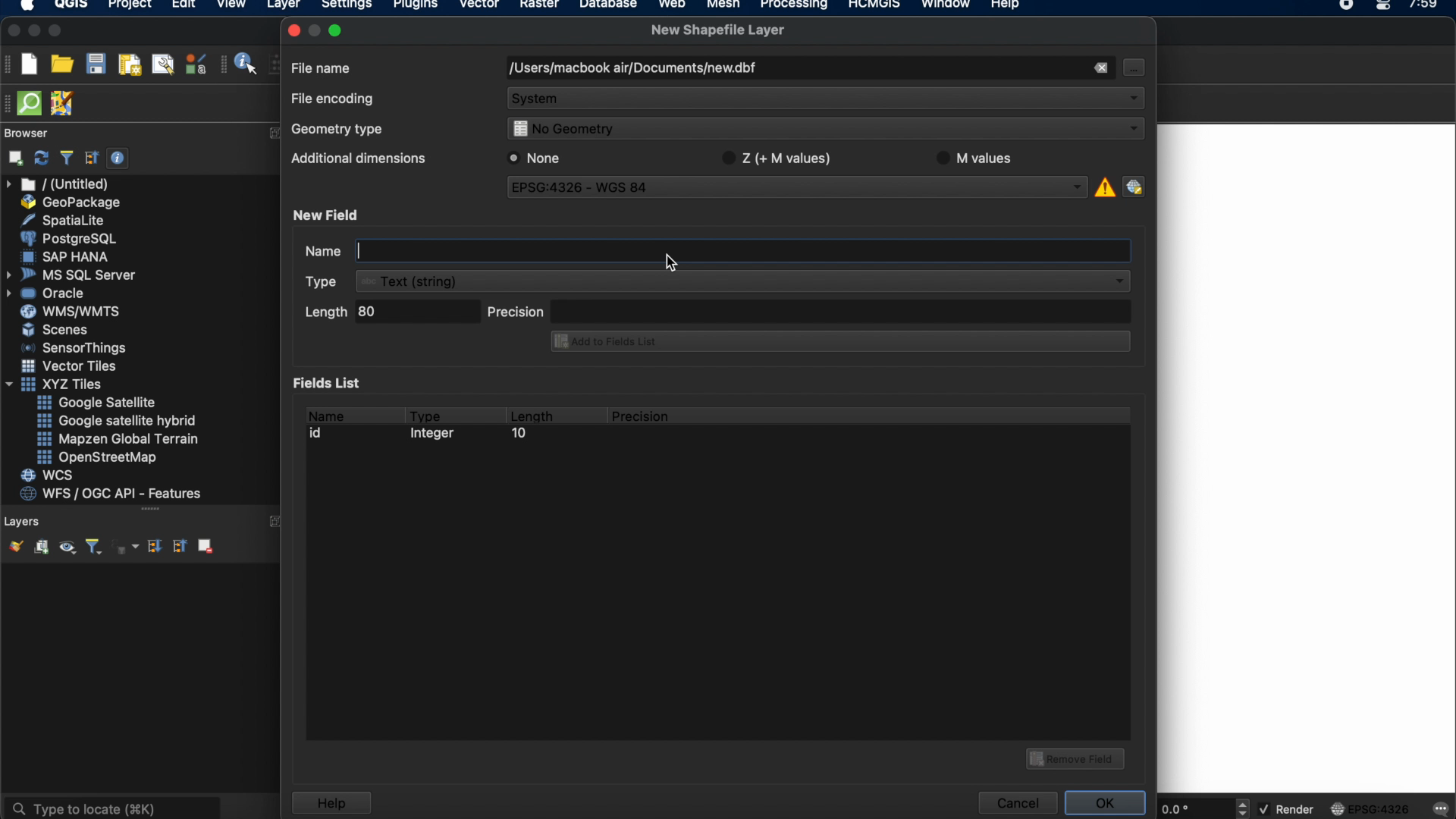 This screenshot has height=819, width=1456. I want to click on google satellite, so click(98, 403).